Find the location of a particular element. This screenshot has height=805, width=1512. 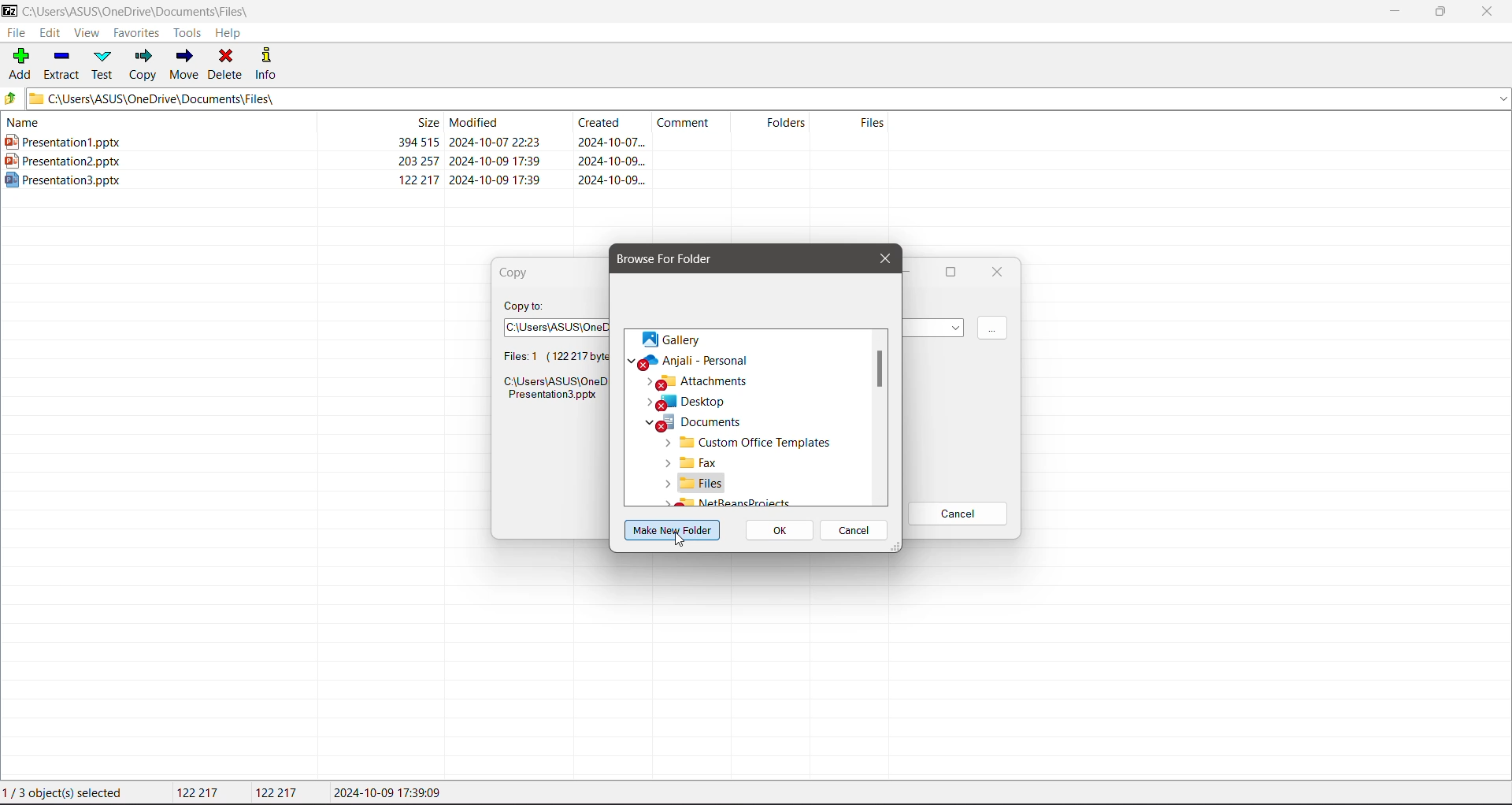

Favorites is located at coordinates (137, 32).